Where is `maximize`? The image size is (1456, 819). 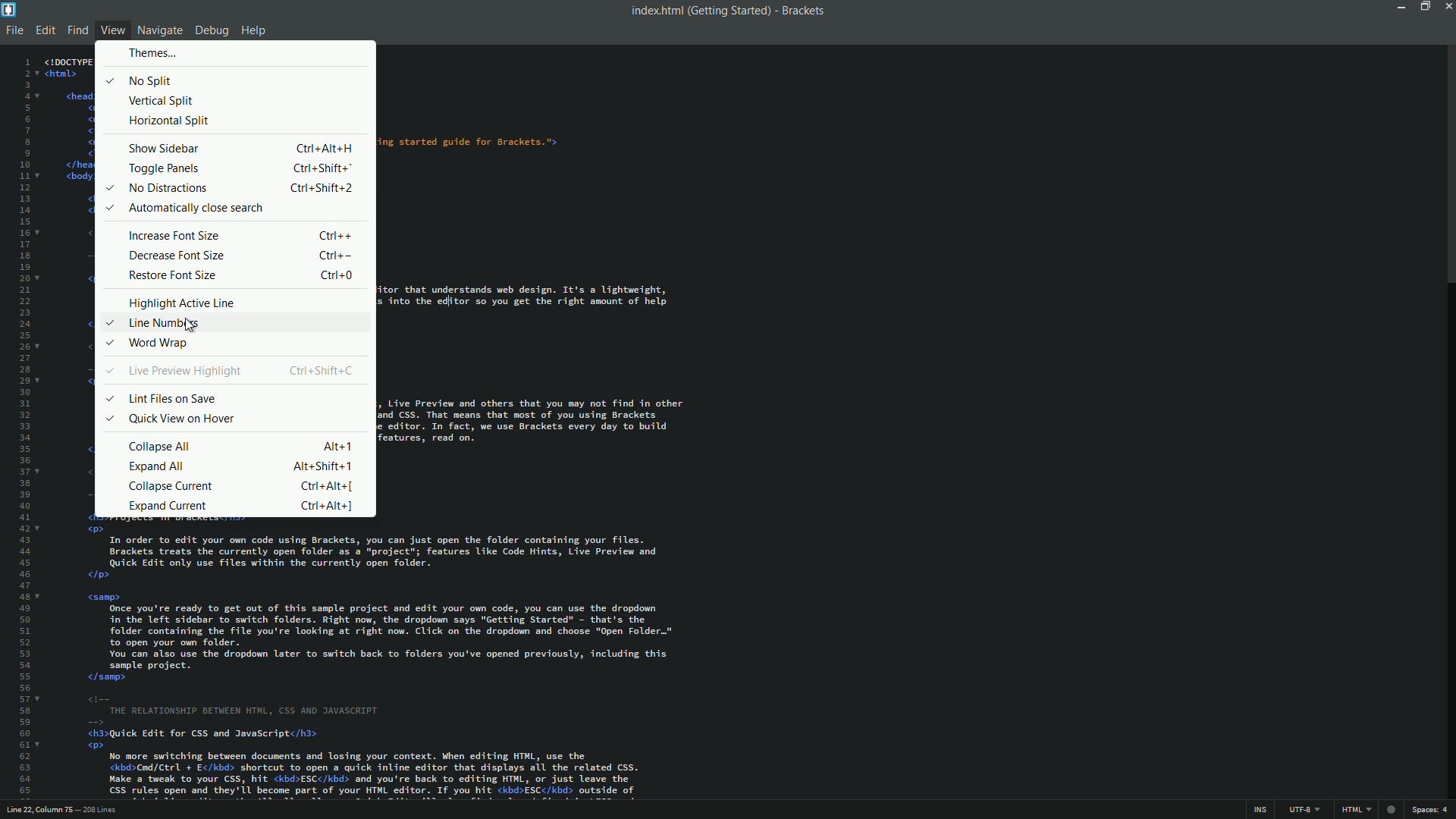
maximize is located at coordinates (1423, 6).